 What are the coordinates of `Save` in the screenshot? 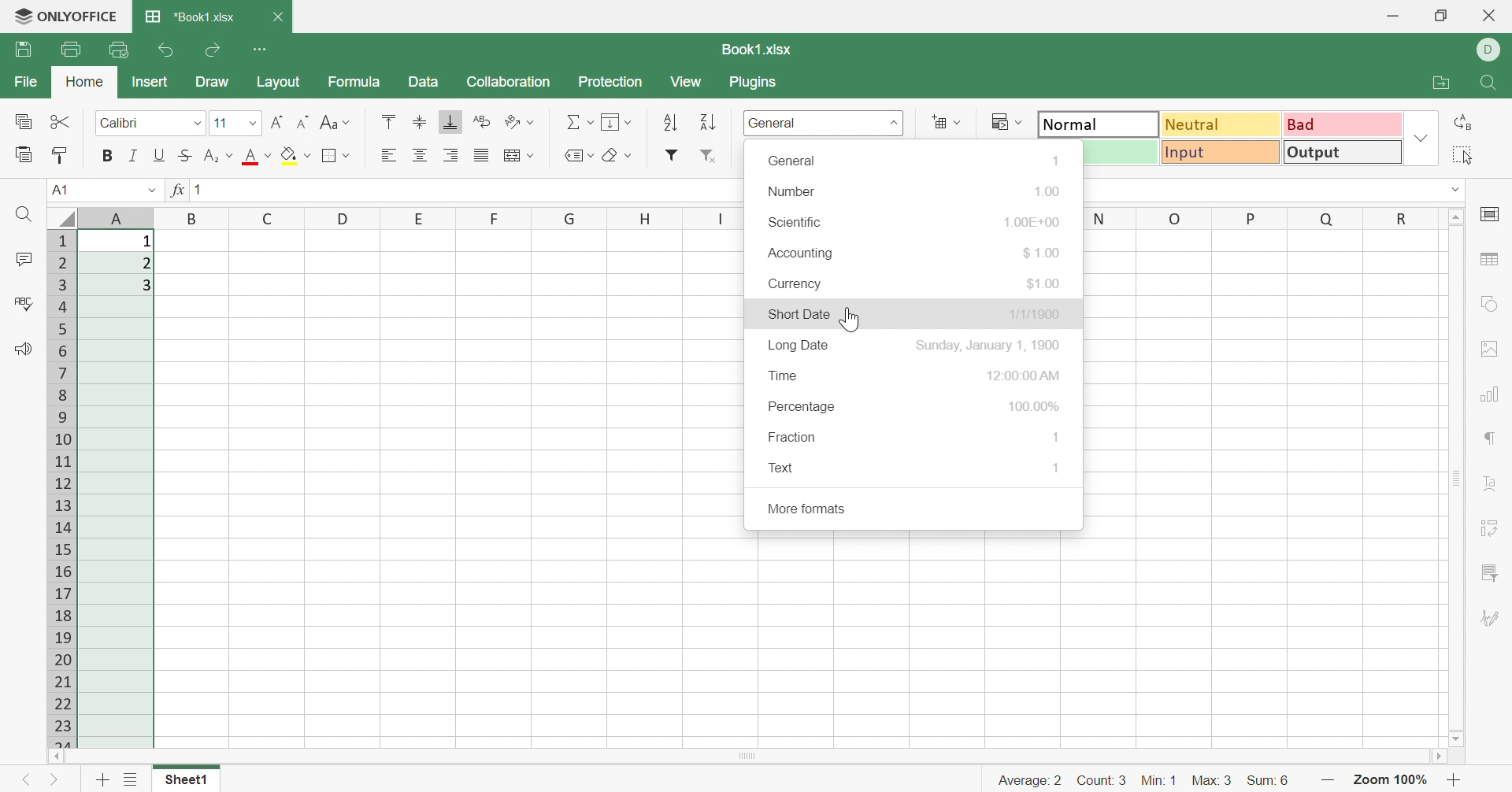 It's located at (24, 49).